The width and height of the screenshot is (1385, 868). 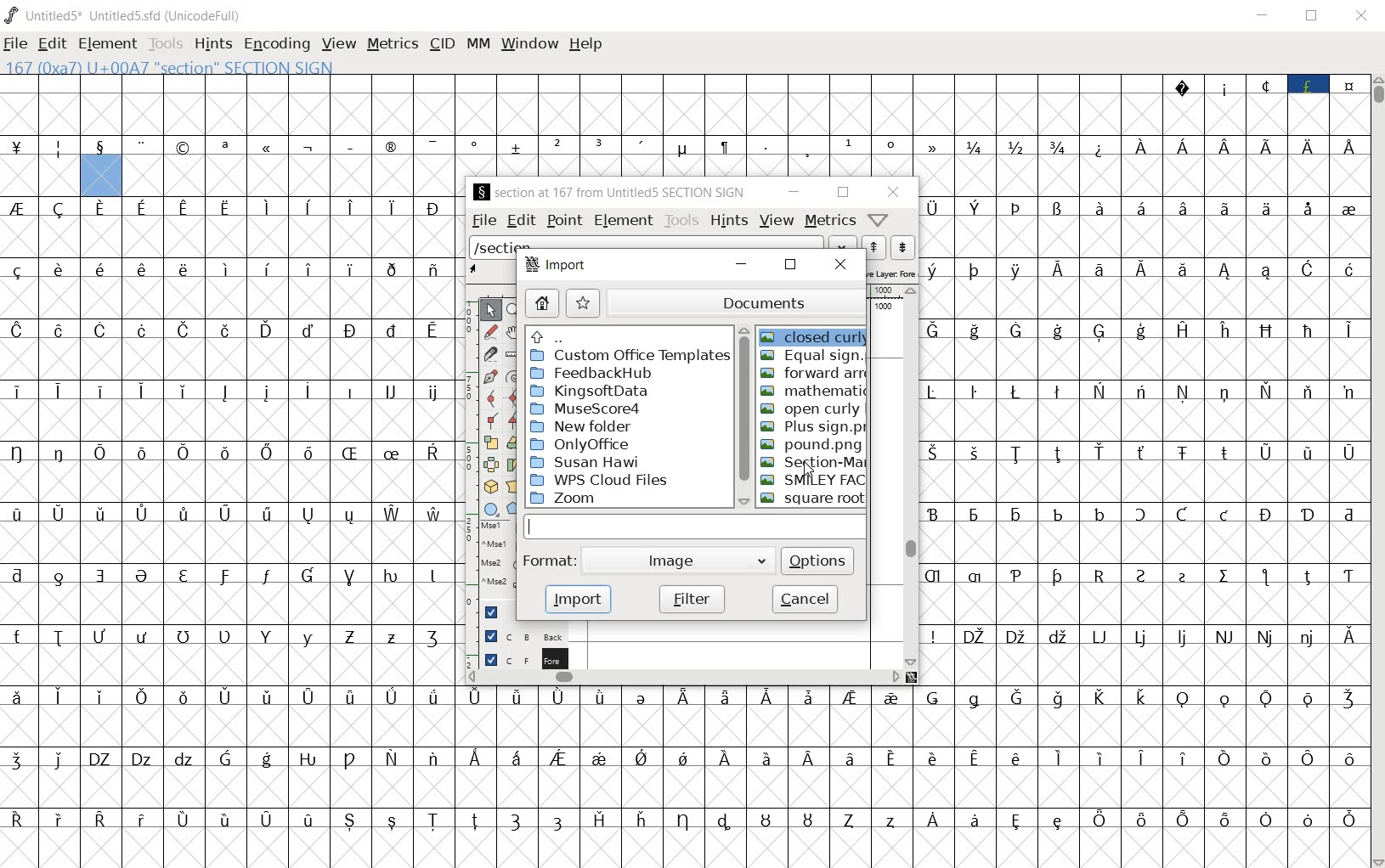 I want to click on empty cells, so click(x=1143, y=665).